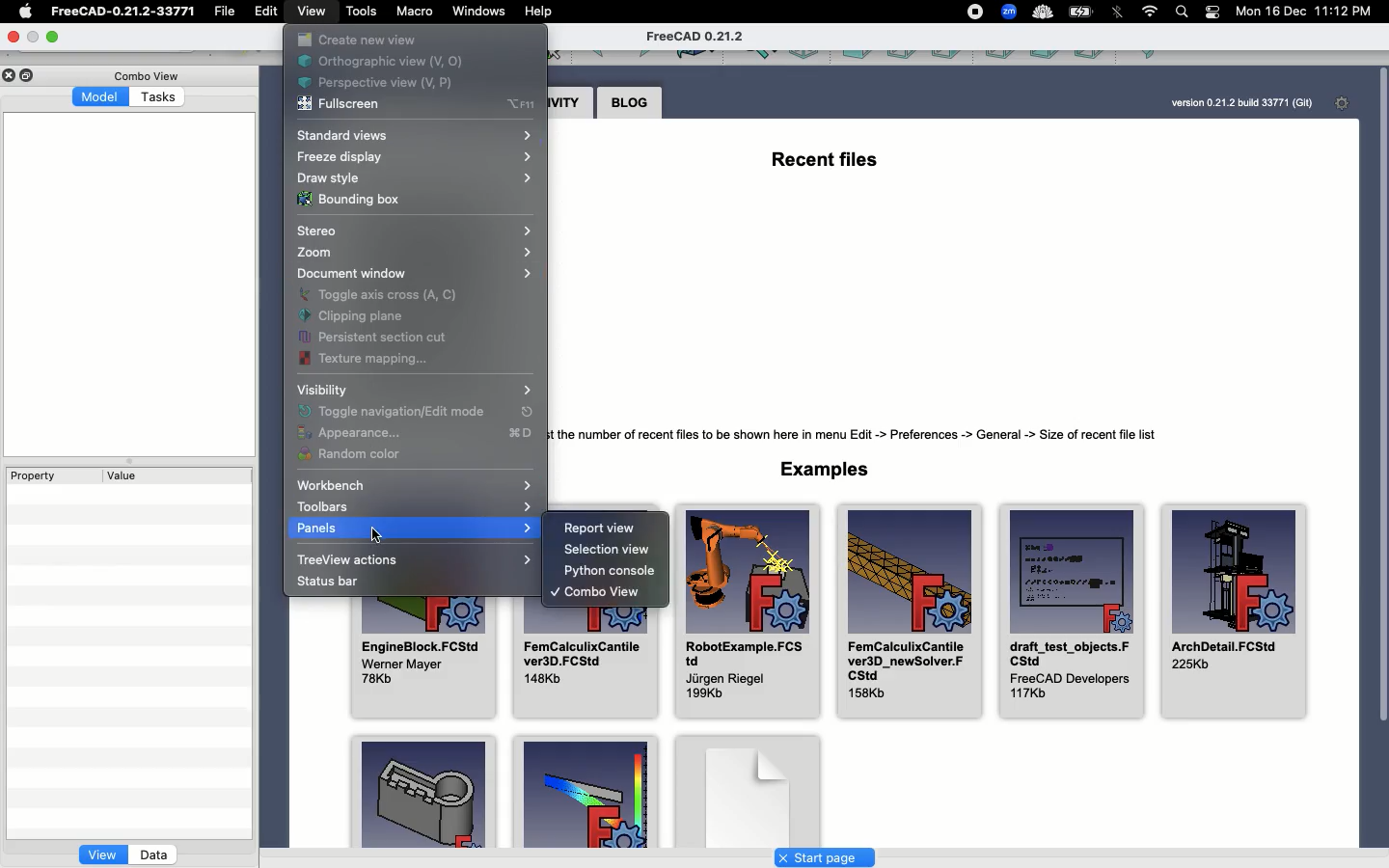 The width and height of the screenshot is (1389, 868). I want to click on draft_test_objects.FCStd FreeCAD Developers 117Kb, so click(1070, 614).